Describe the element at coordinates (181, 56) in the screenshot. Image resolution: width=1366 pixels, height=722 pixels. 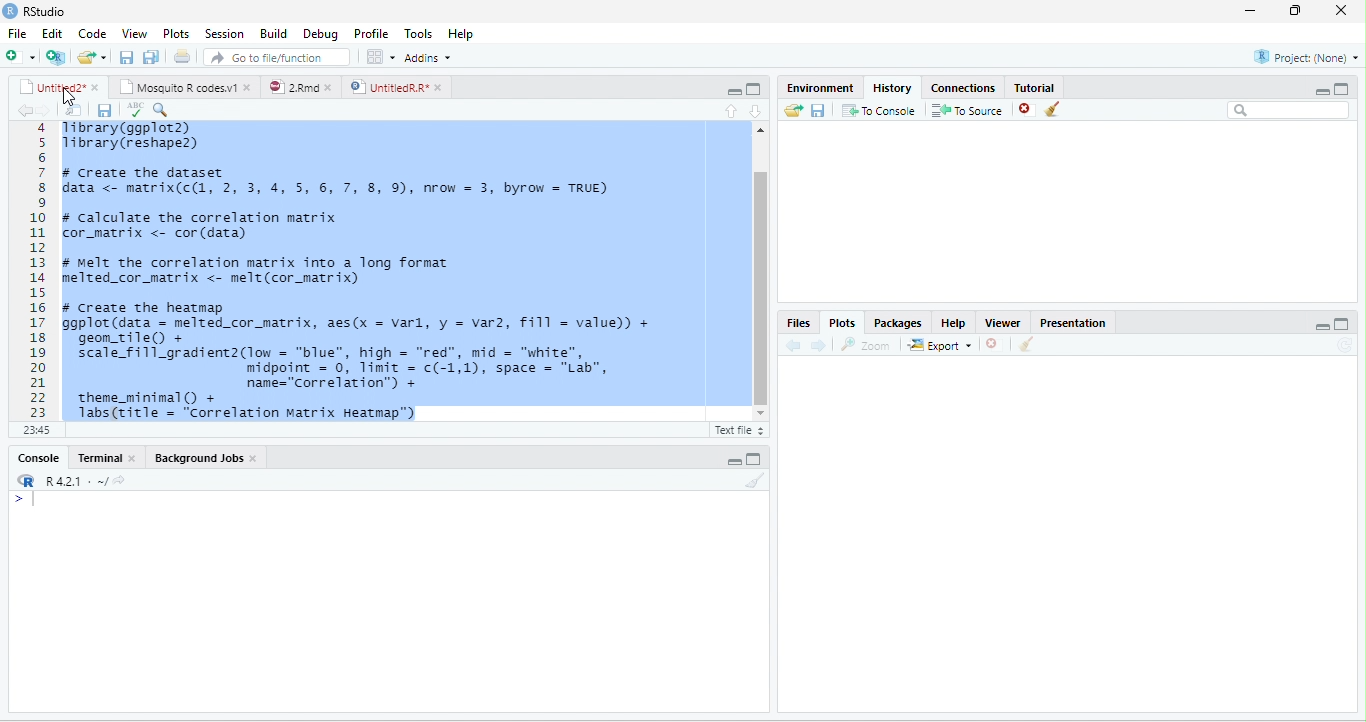
I see `document` at that location.